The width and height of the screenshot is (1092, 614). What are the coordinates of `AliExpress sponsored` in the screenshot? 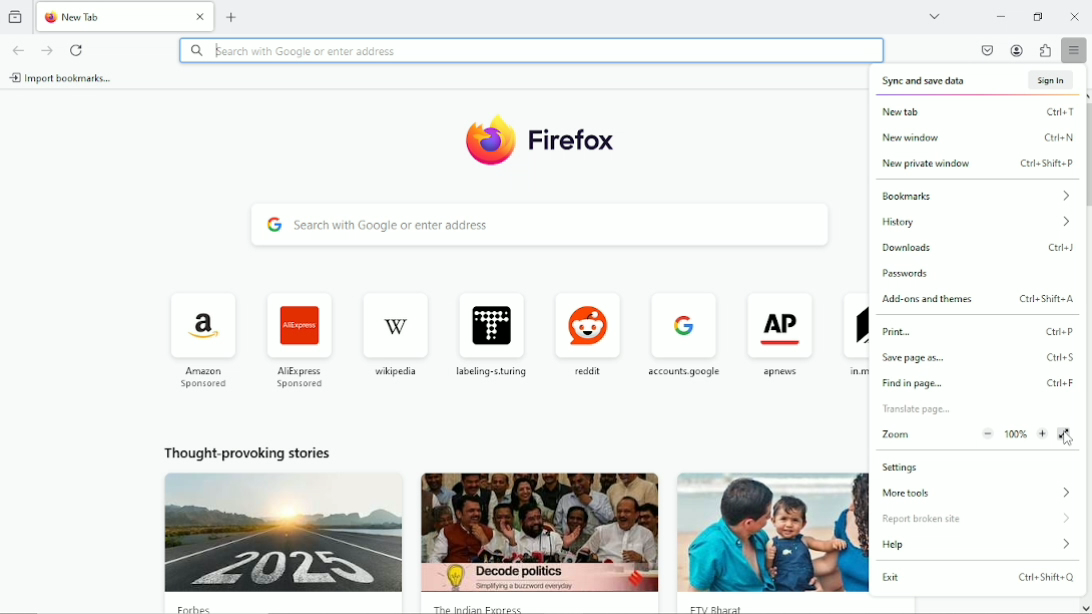 It's located at (296, 336).